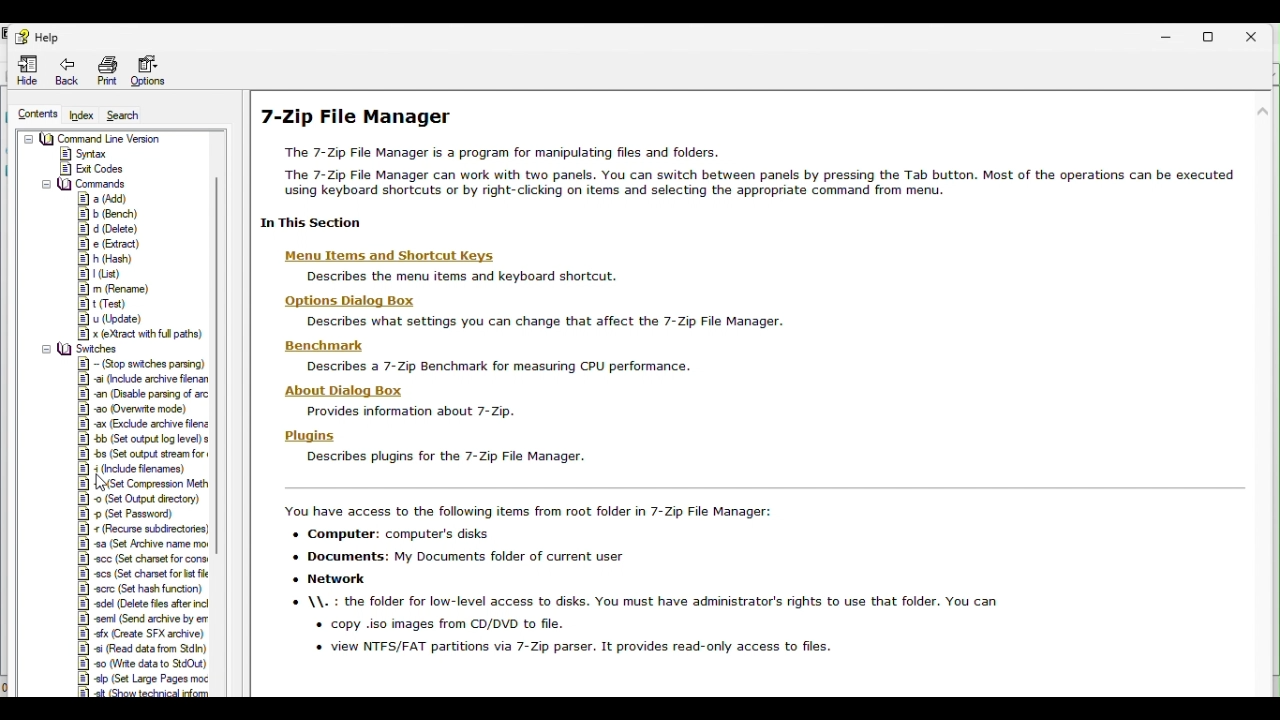  What do you see at coordinates (109, 320) in the screenshot?
I see `update` at bounding box center [109, 320].